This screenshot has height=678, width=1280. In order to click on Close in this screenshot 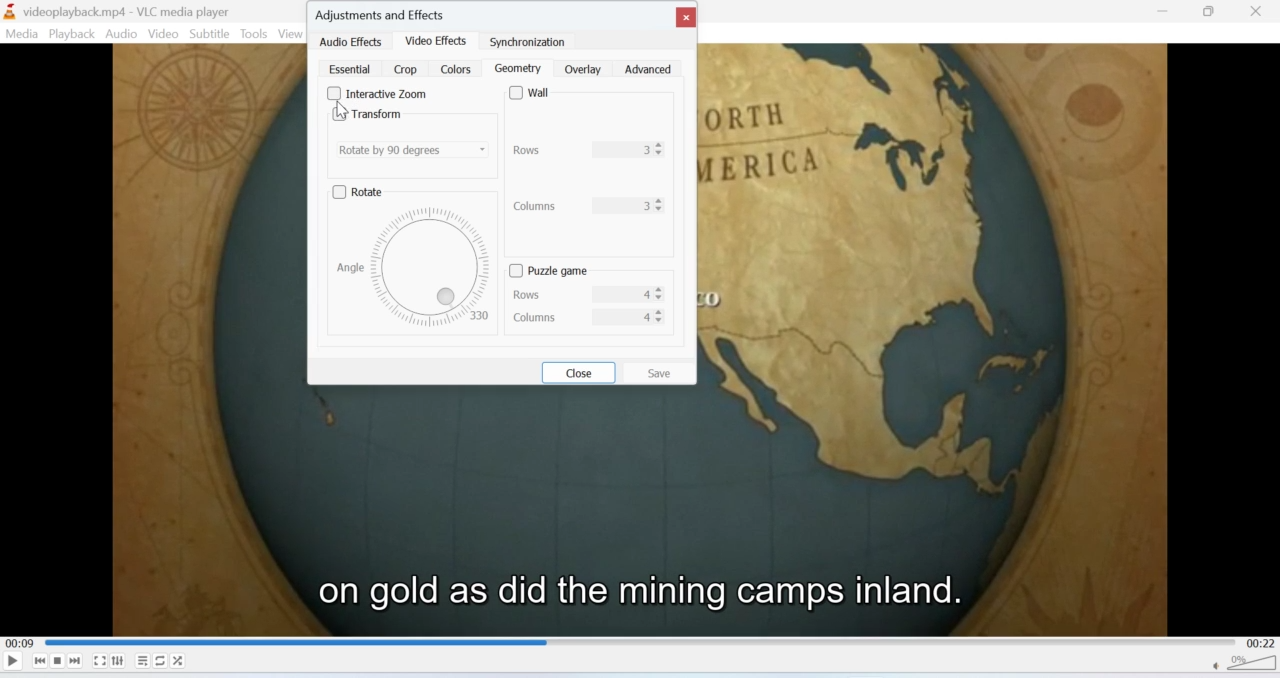, I will do `click(1257, 12)`.